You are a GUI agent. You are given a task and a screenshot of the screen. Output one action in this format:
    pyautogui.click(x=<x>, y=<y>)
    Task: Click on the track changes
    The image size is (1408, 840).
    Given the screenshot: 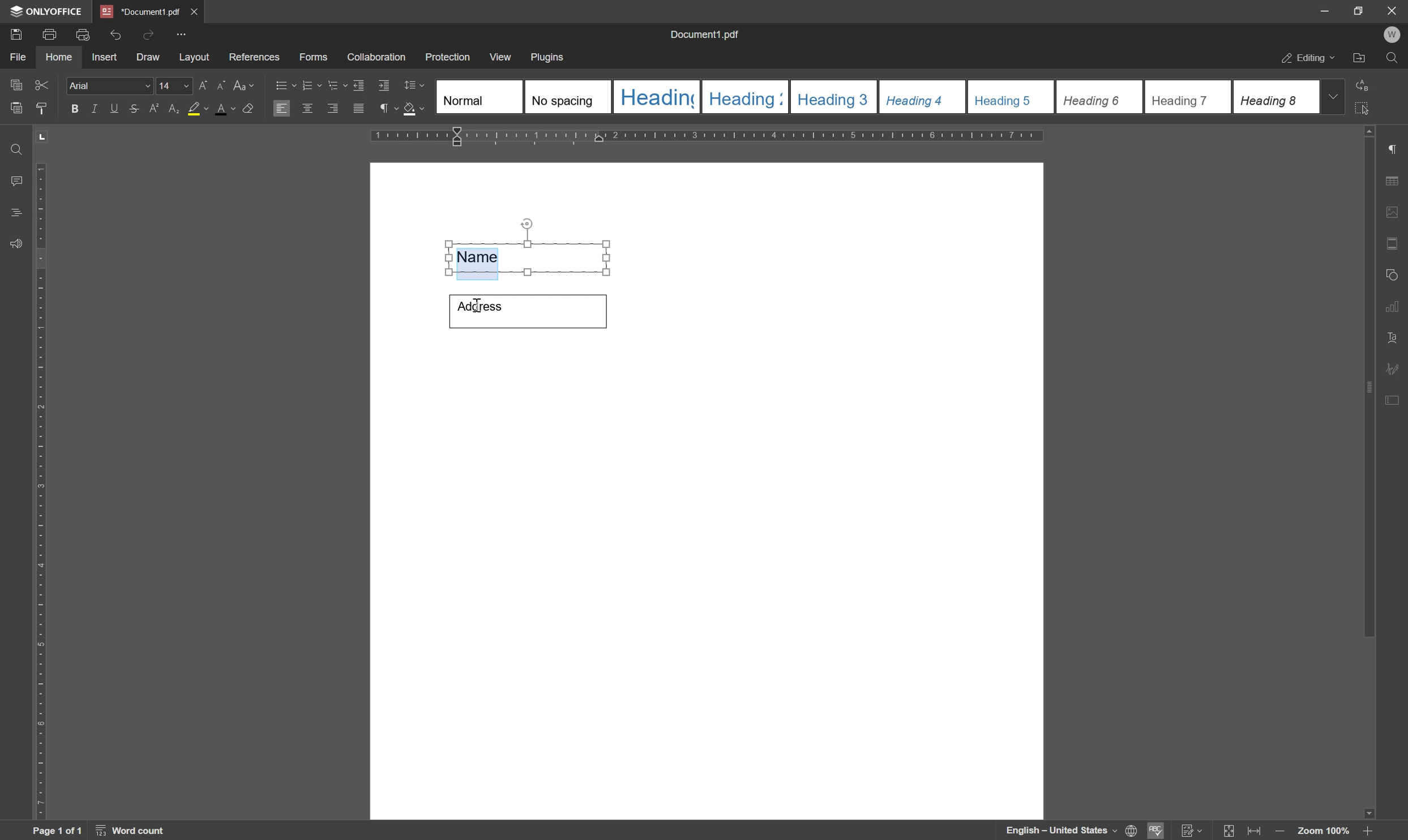 What is the action you would take?
    pyautogui.click(x=1191, y=831)
    